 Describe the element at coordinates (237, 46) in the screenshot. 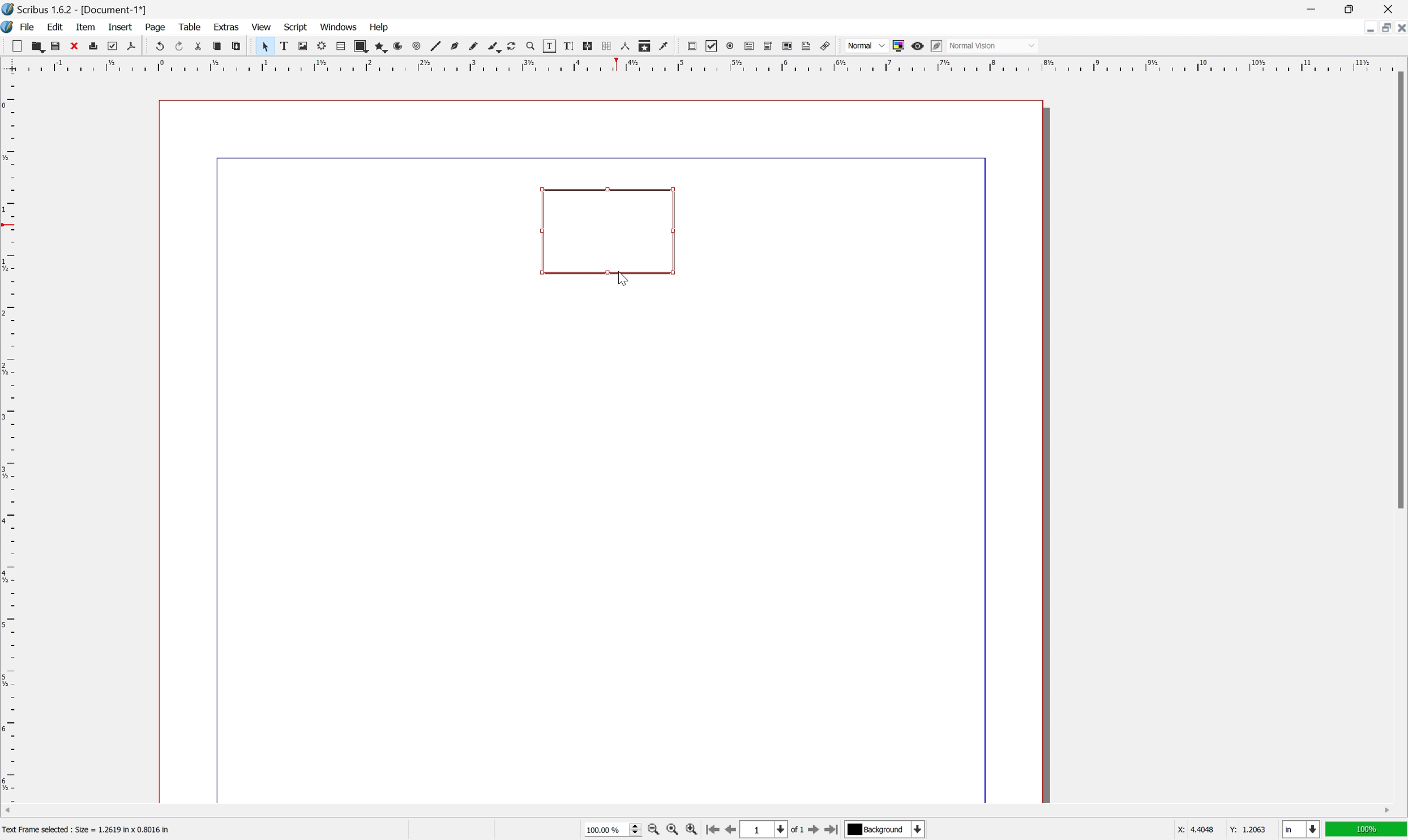

I see `paste` at that location.